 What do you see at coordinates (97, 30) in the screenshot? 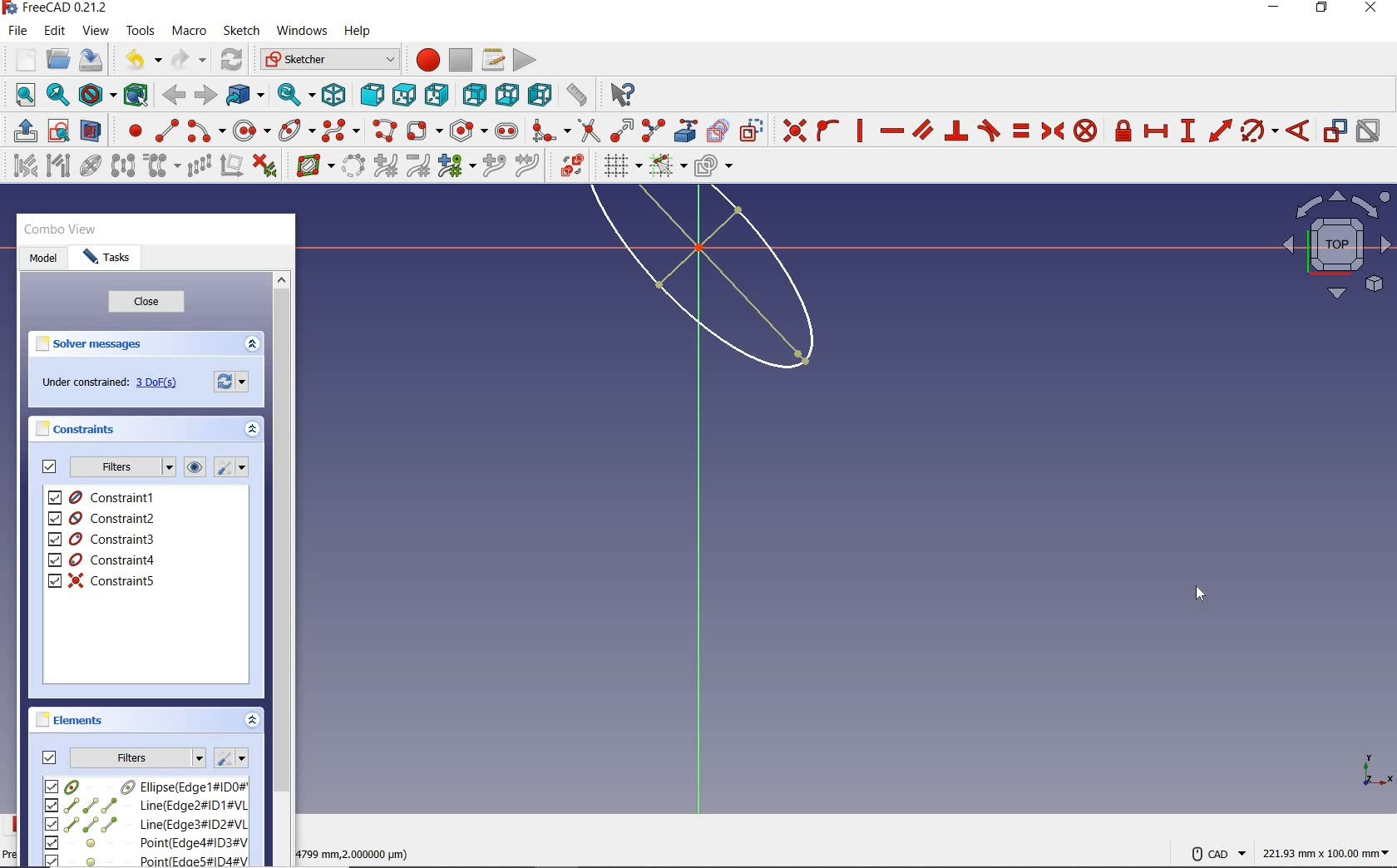
I see `view` at bounding box center [97, 30].